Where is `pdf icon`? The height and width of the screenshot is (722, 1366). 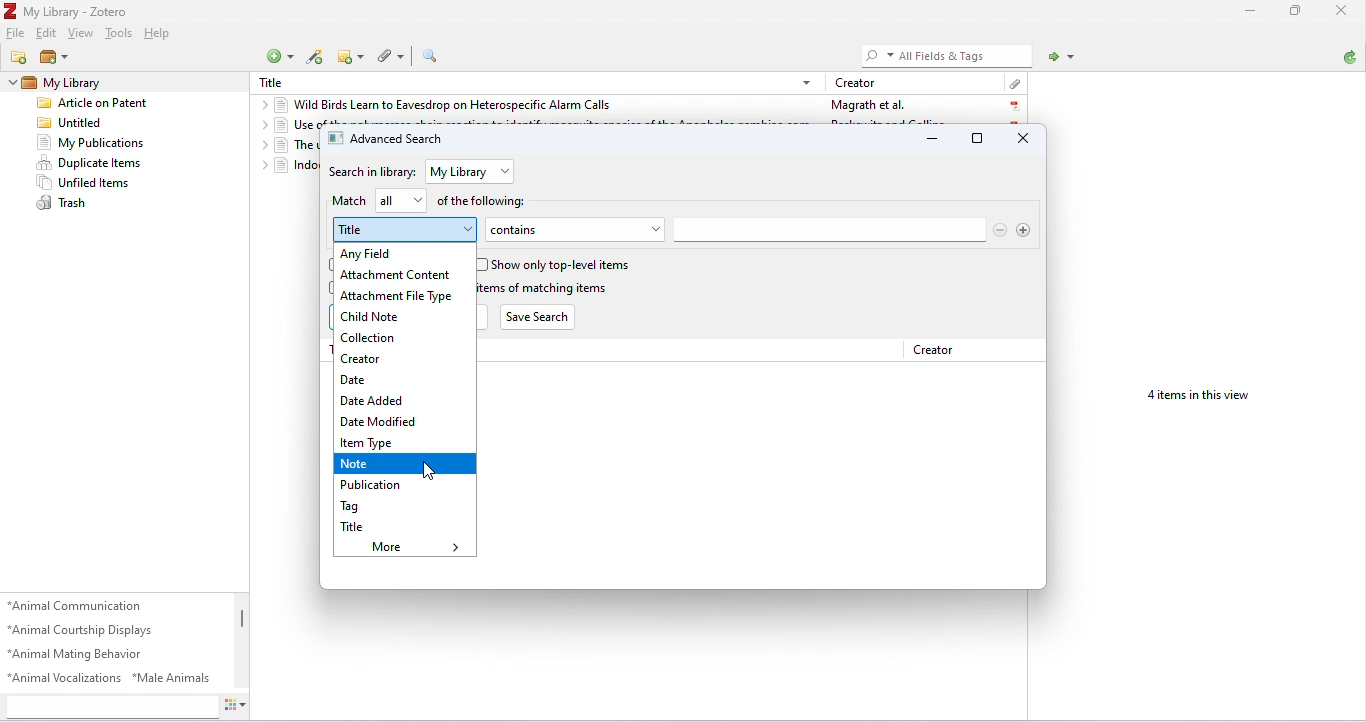
pdf icon is located at coordinates (1015, 106).